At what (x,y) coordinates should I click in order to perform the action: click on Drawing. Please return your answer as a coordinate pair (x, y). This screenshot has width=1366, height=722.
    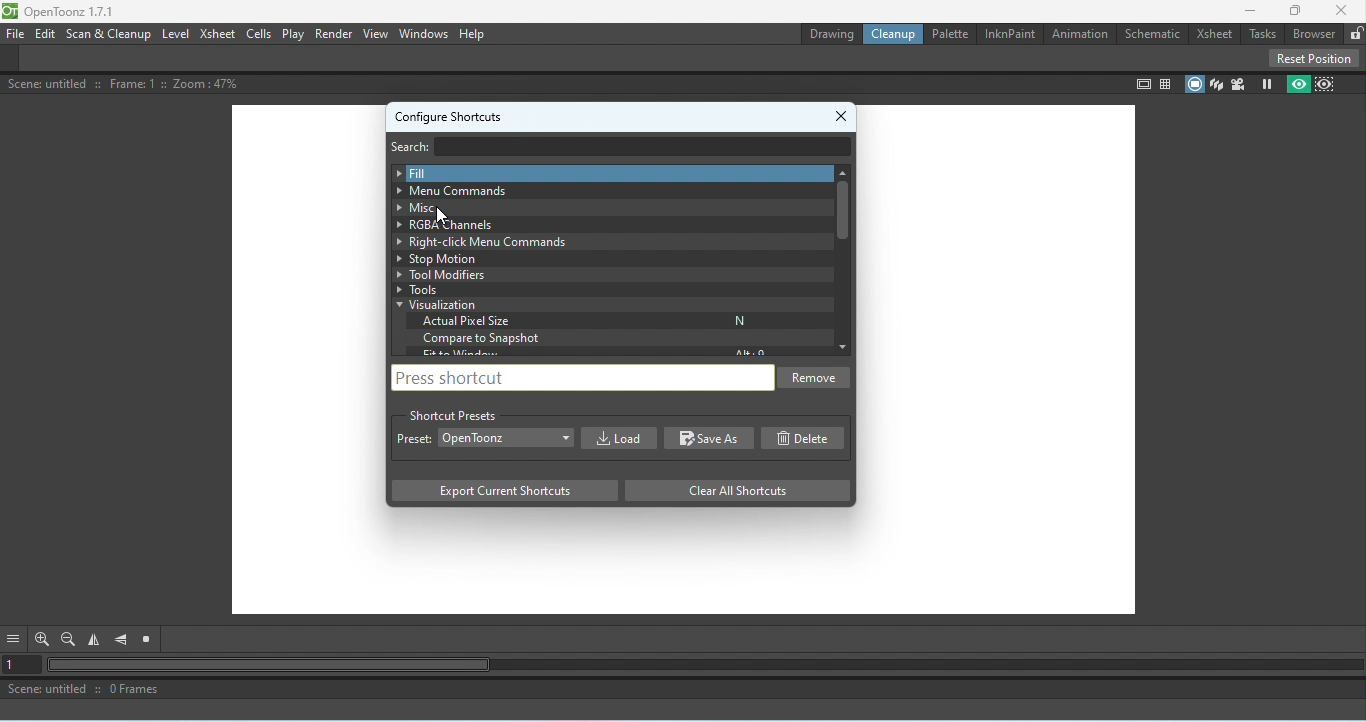
    Looking at the image, I should click on (830, 34).